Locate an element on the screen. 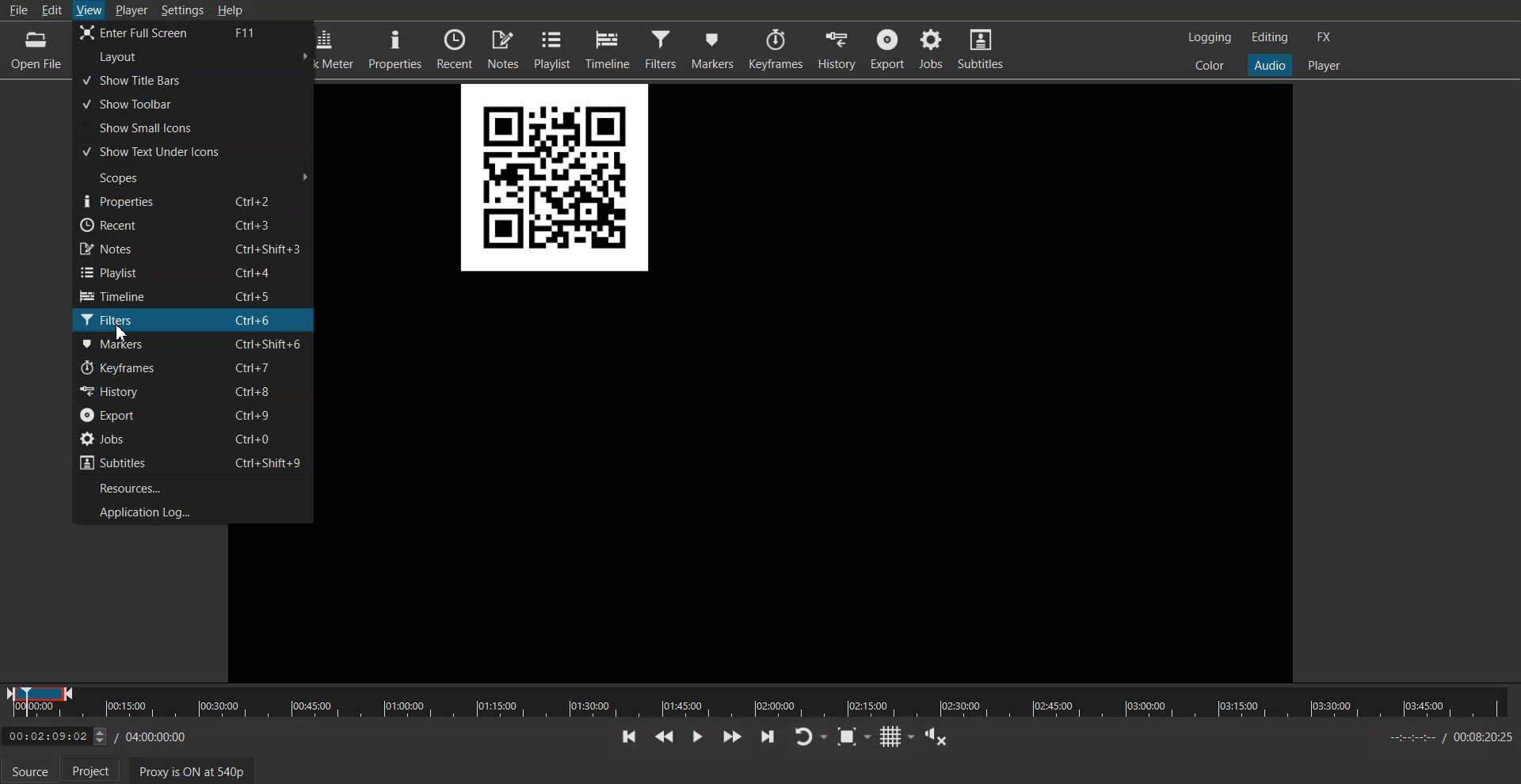 This screenshot has width=1521, height=784. Switch to the Audio layout is located at coordinates (1269, 65).